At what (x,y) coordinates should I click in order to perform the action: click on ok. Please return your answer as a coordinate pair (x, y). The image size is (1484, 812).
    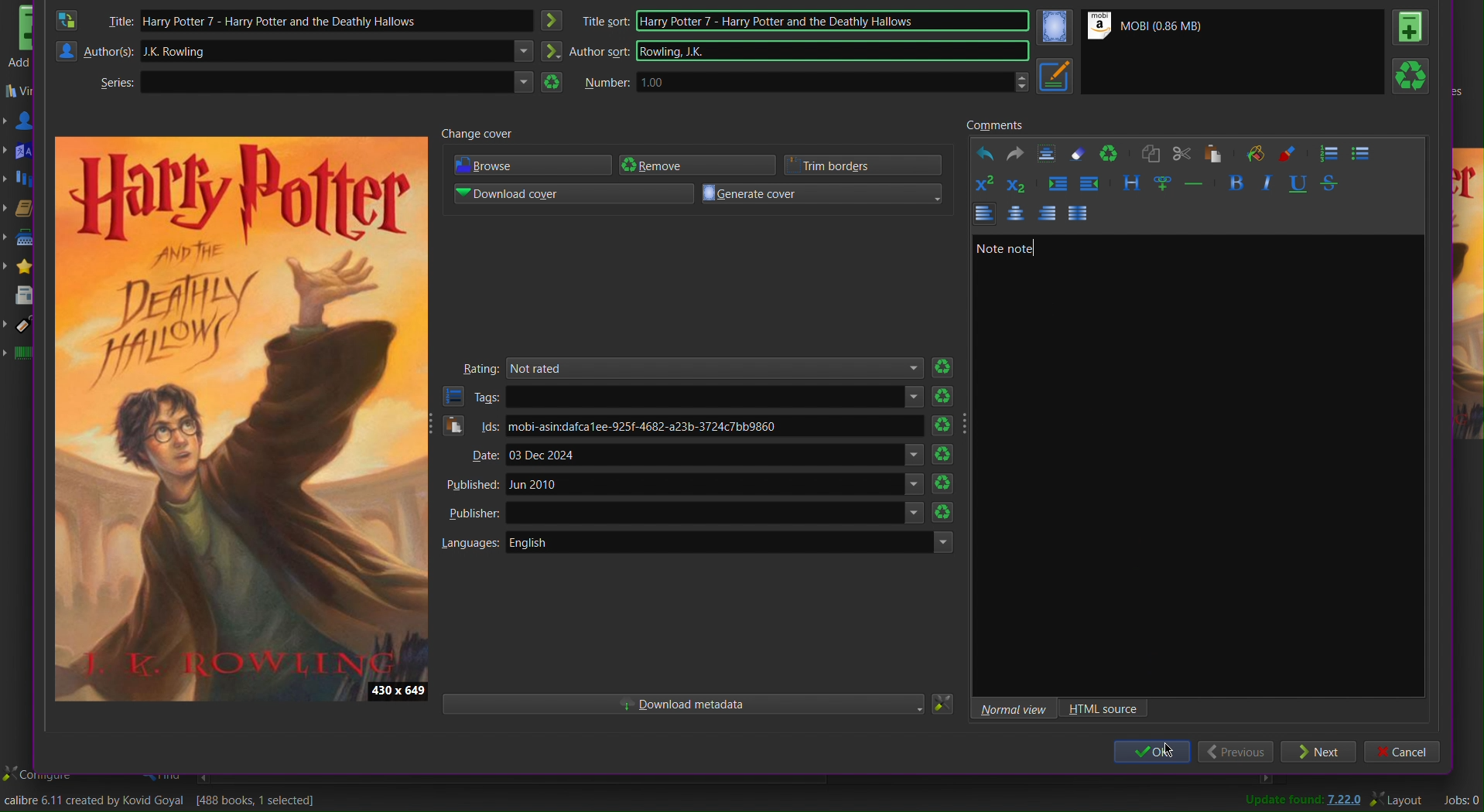
    Looking at the image, I should click on (1150, 753).